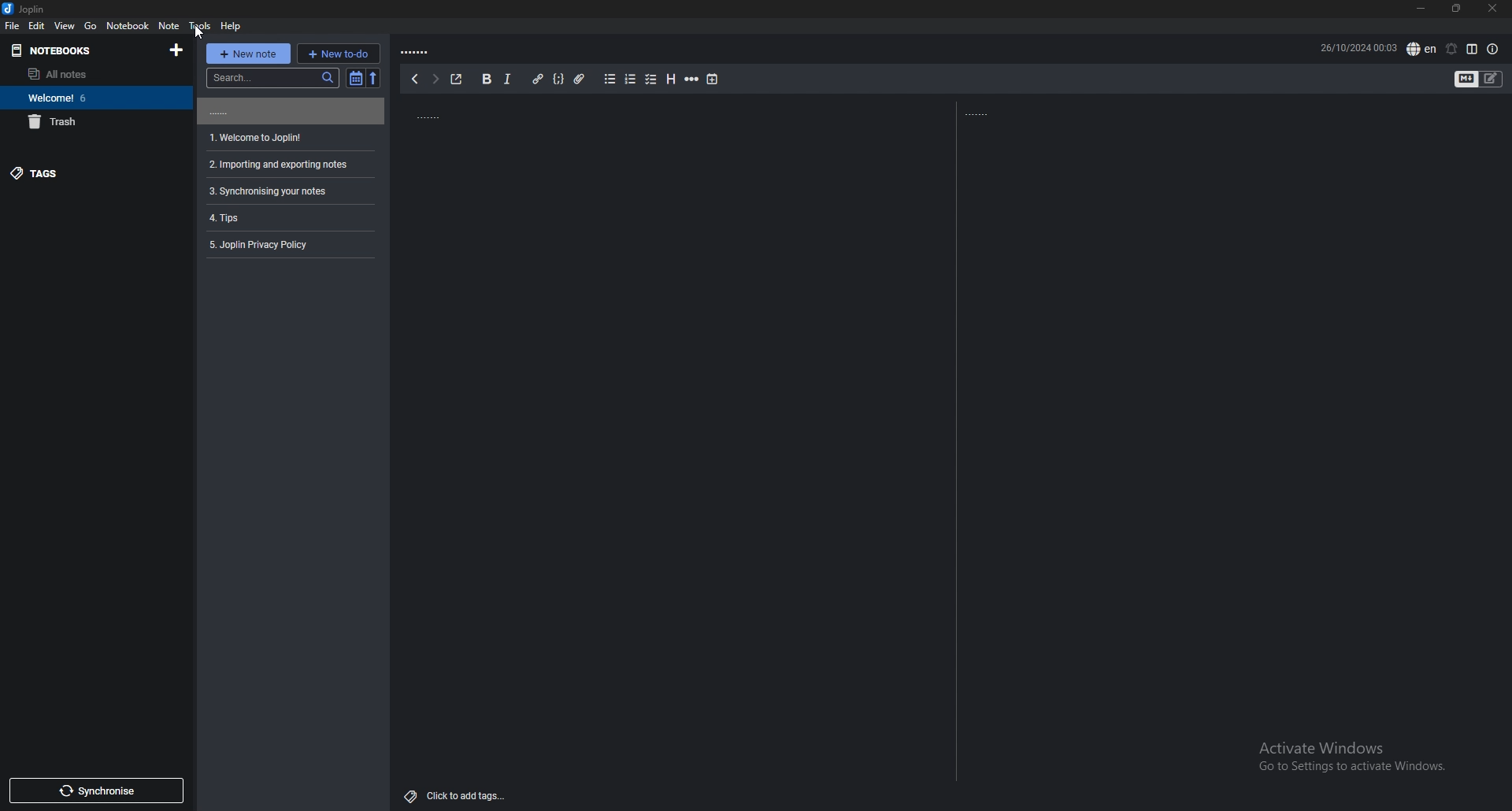  Describe the element at coordinates (579, 79) in the screenshot. I see `add attachment` at that location.